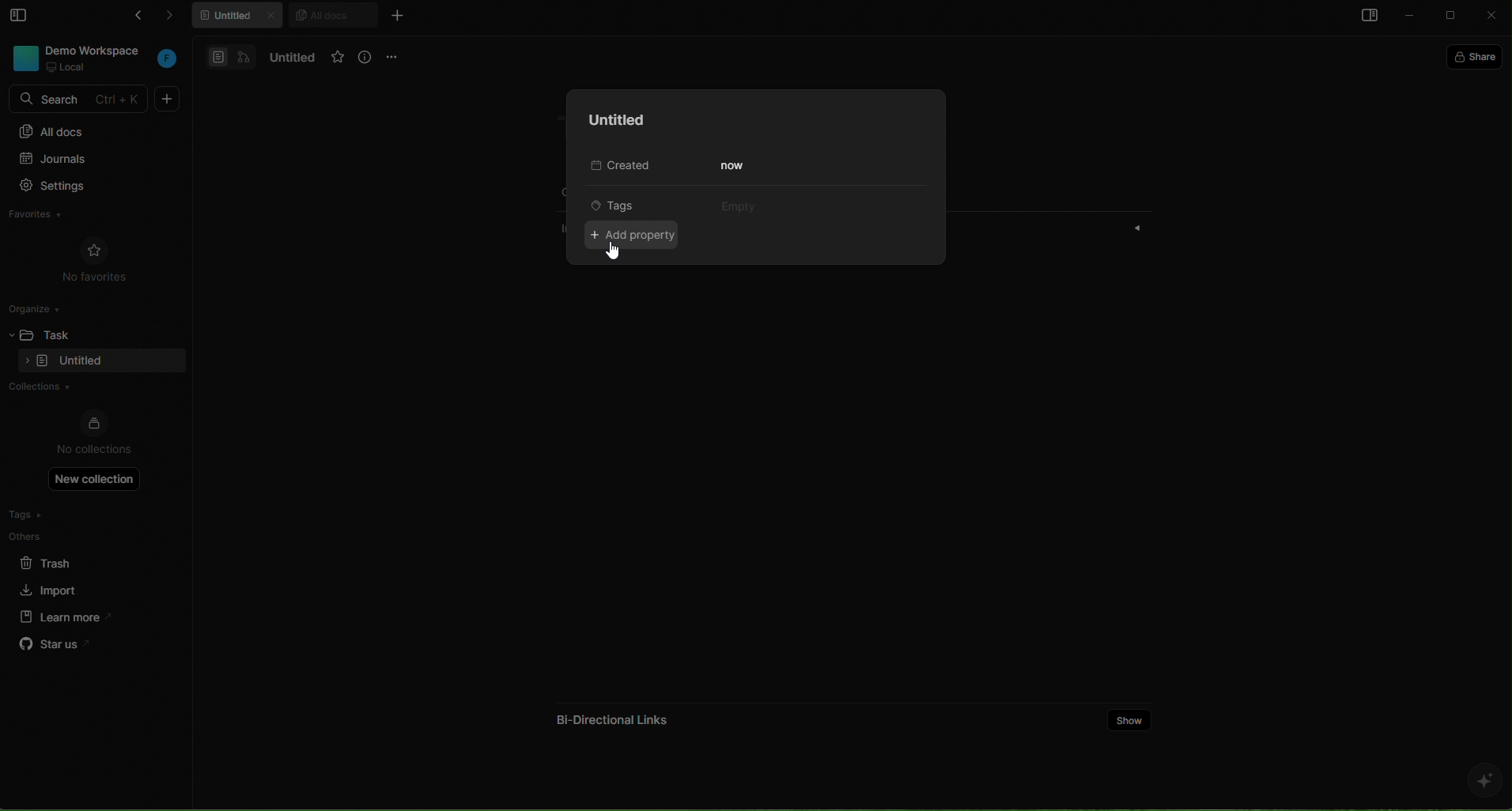  What do you see at coordinates (168, 99) in the screenshot?
I see `new doc` at bounding box center [168, 99].